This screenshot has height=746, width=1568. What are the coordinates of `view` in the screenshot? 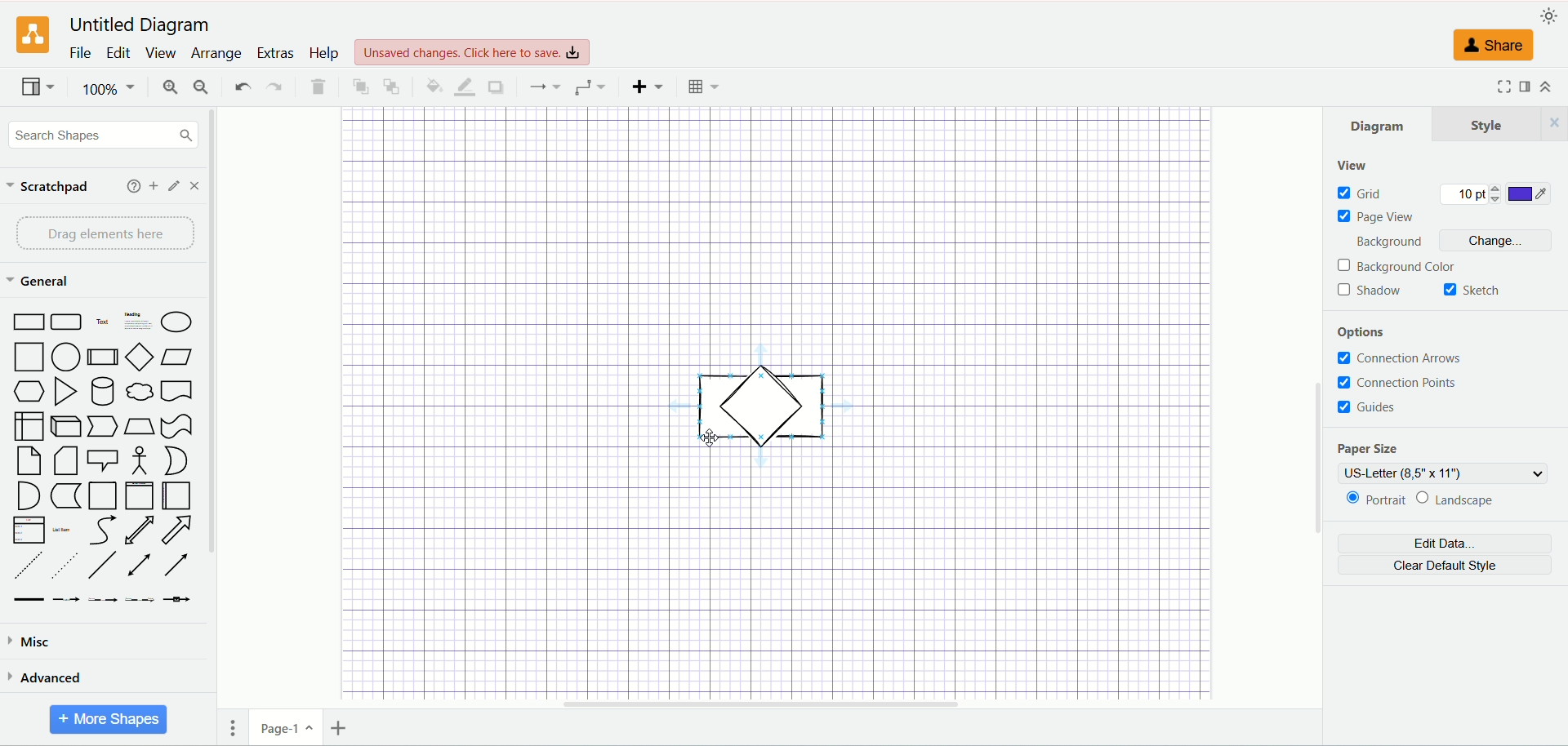 It's located at (37, 87).